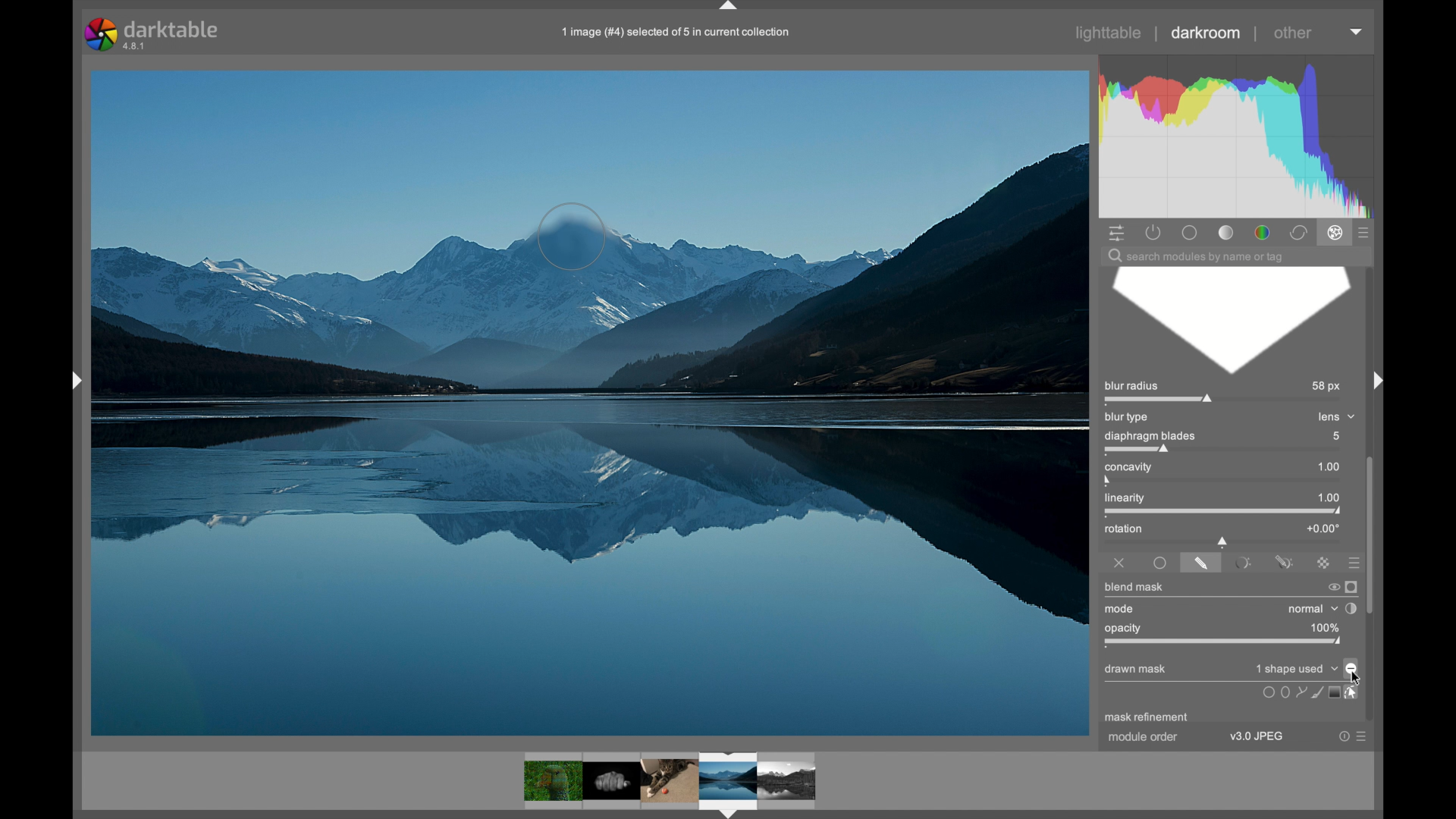 This screenshot has height=819, width=1456. I want to click on opacity, so click(1125, 628).